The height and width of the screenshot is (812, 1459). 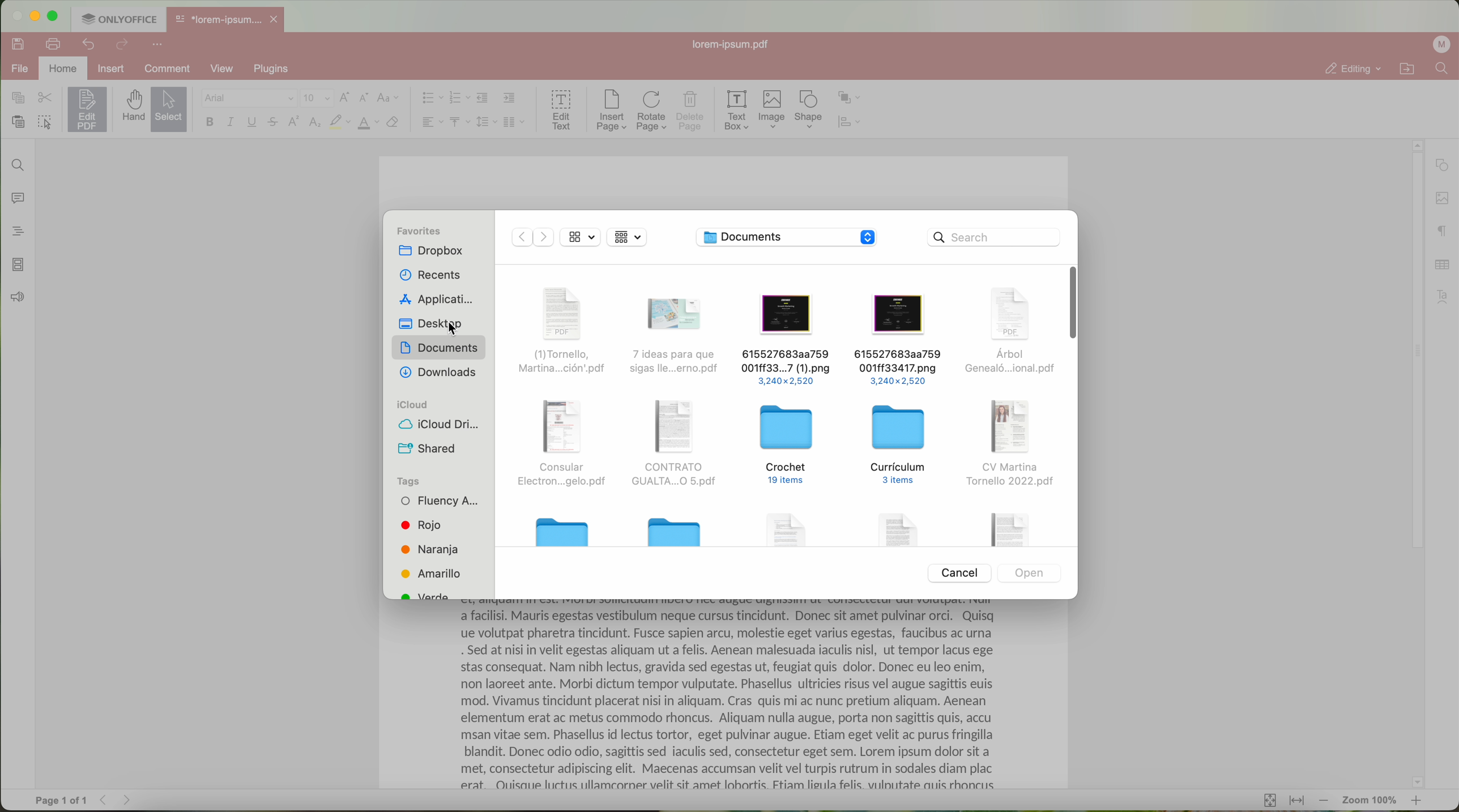 I want to click on find, so click(x=1441, y=68).